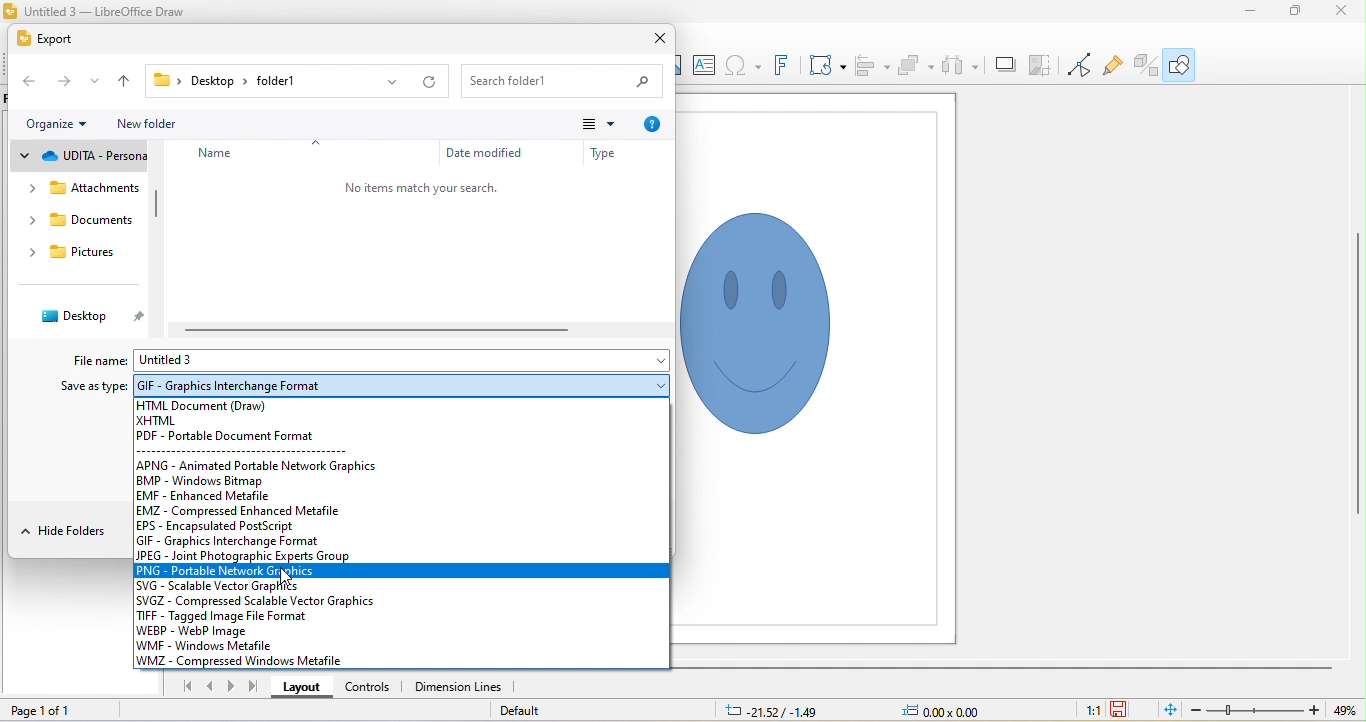 Image resolution: width=1366 pixels, height=722 pixels. I want to click on EPS- encapsulated portscript, so click(231, 527).